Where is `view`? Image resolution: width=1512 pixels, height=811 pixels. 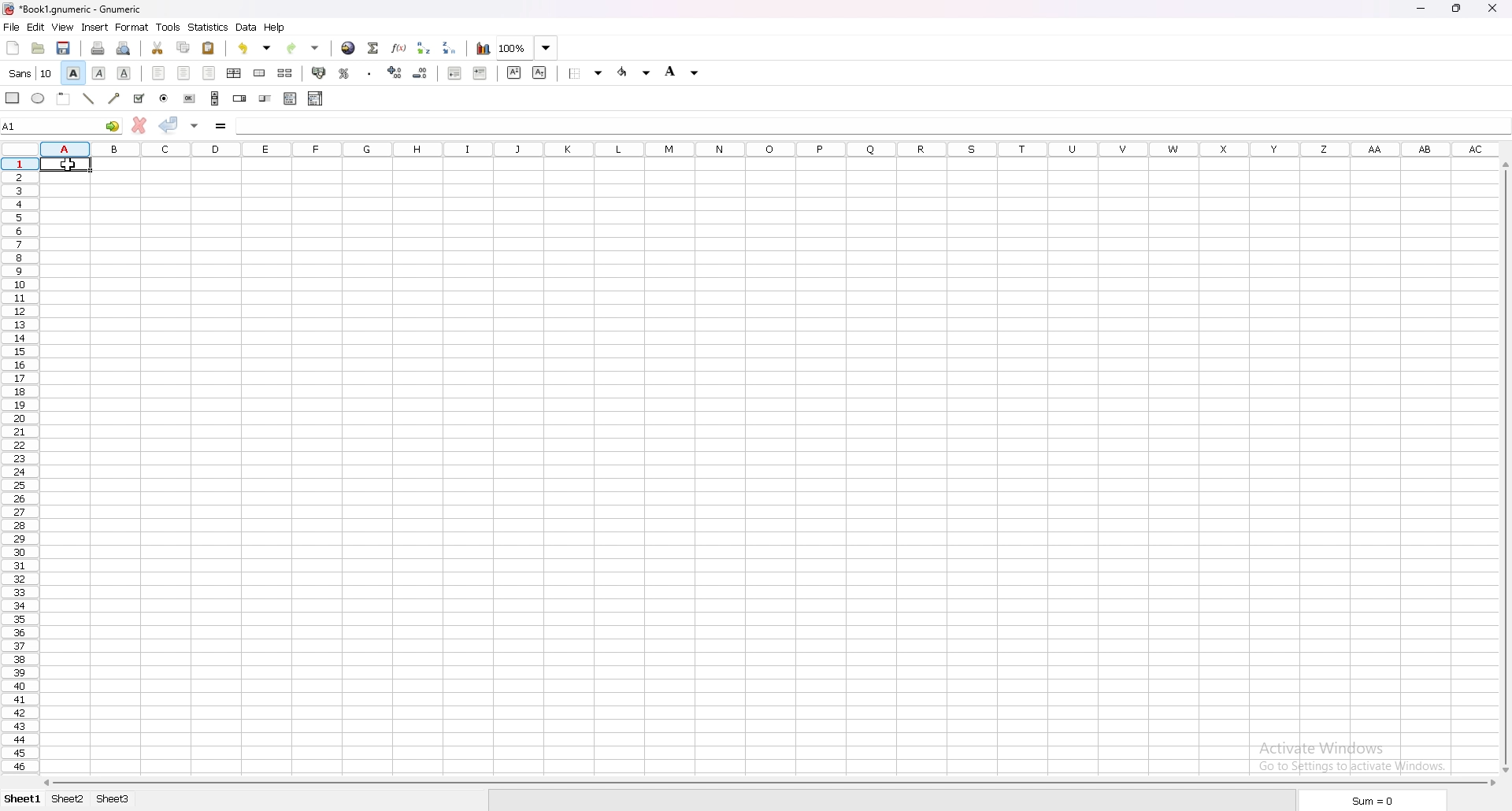 view is located at coordinates (63, 28).